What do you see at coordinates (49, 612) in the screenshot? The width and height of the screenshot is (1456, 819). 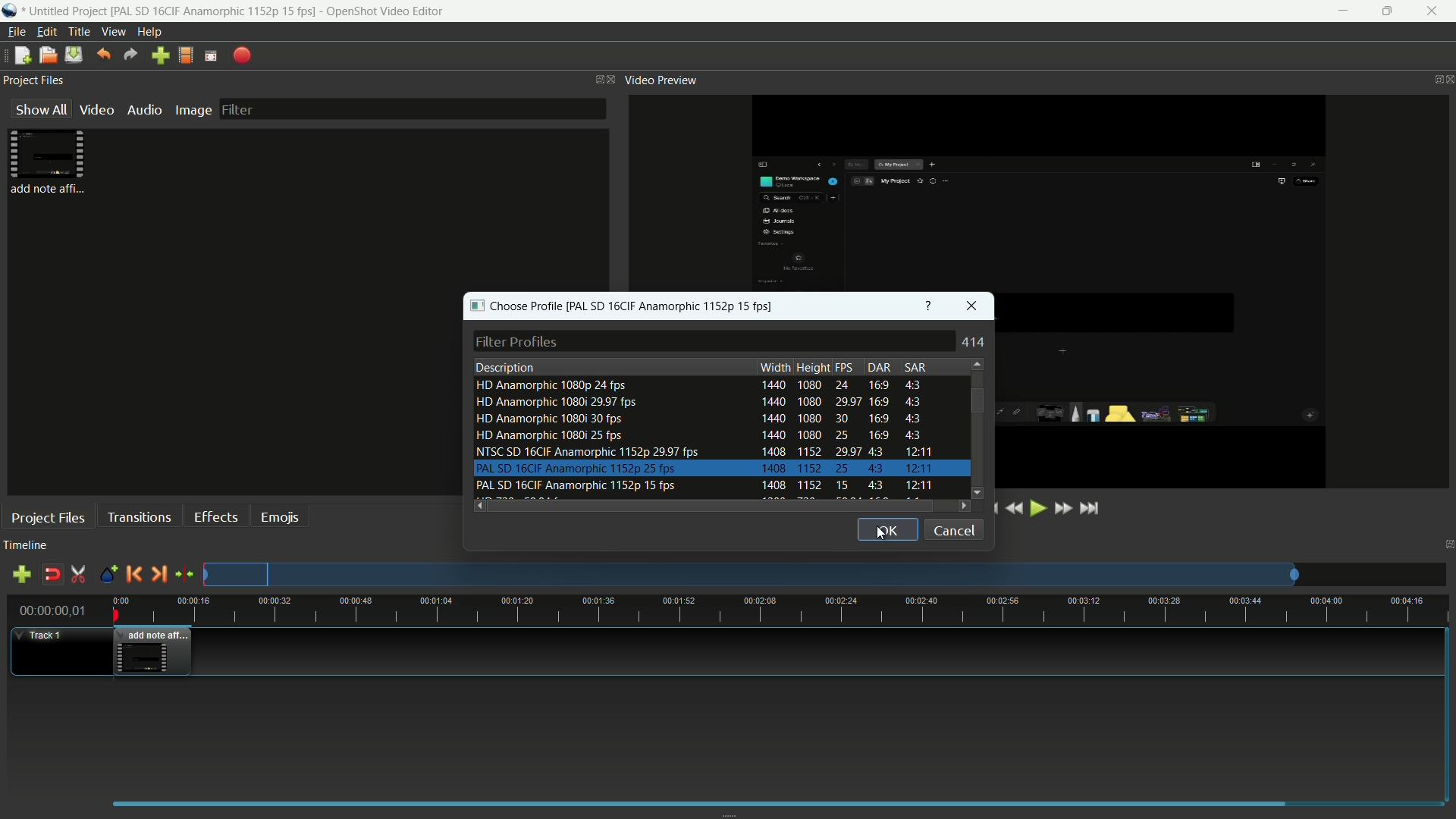 I see `current time` at bounding box center [49, 612].